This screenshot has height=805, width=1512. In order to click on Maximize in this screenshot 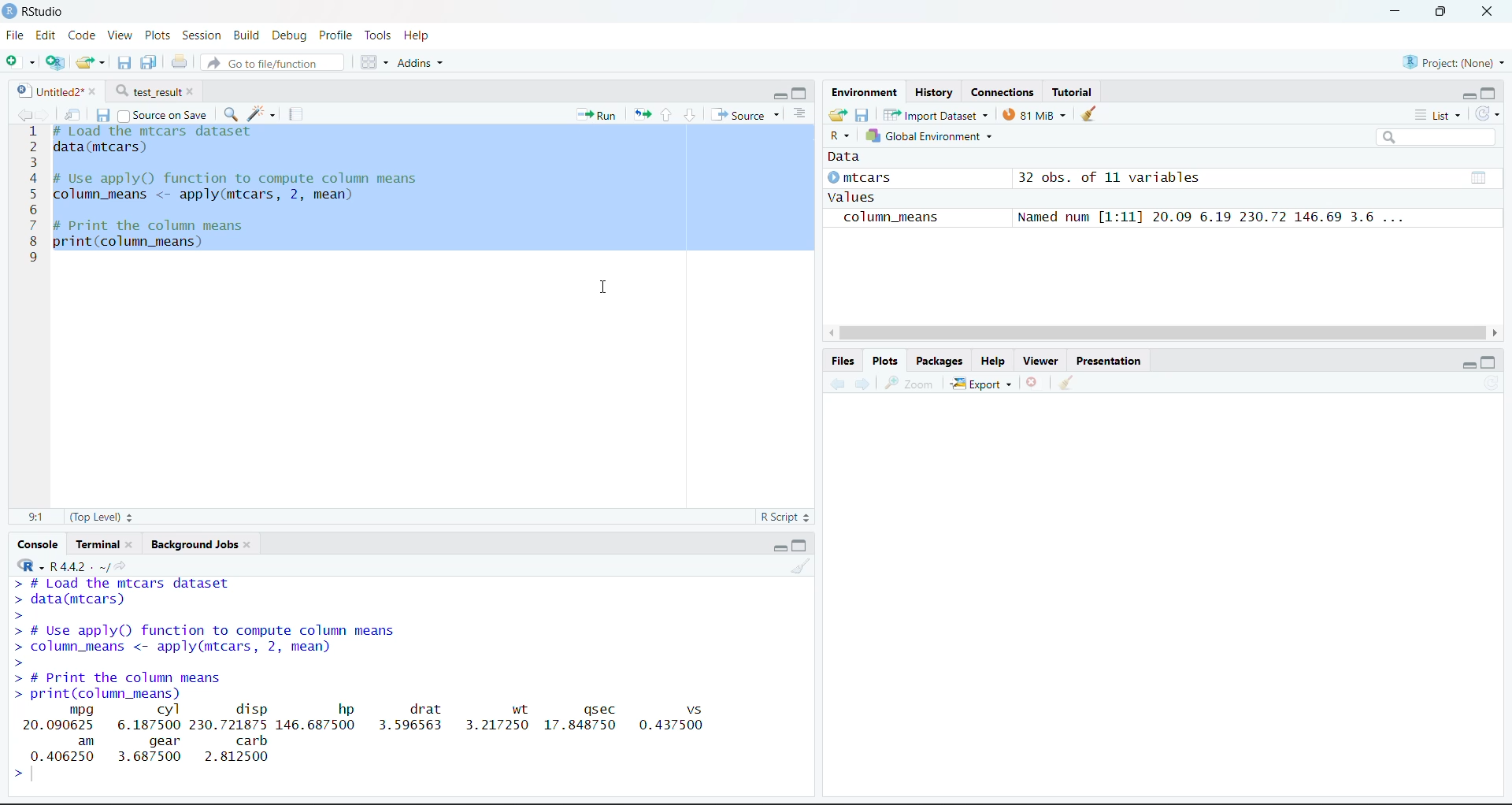, I will do `click(801, 546)`.